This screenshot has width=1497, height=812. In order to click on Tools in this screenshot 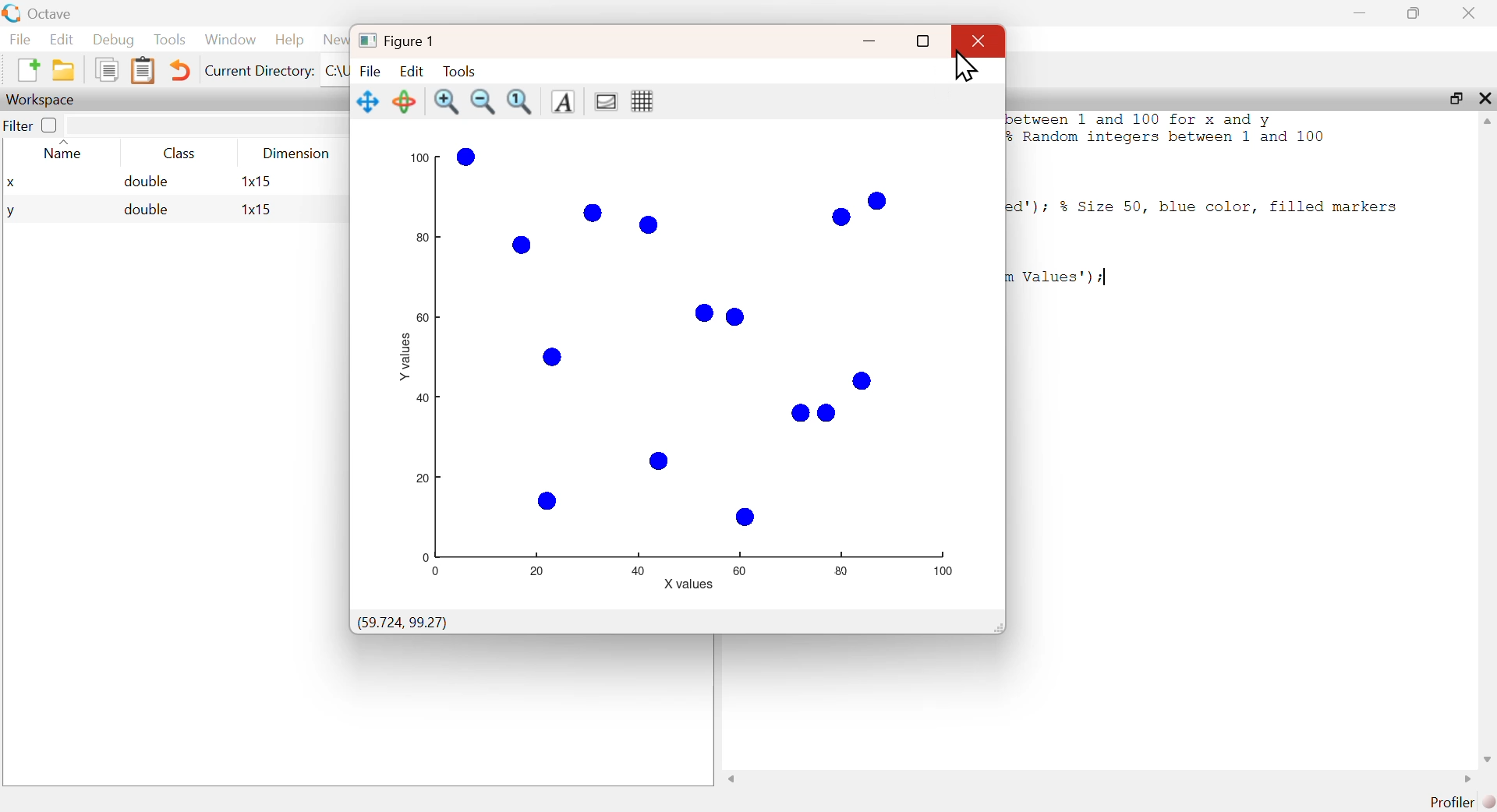, I will do `click(170, 39)`.